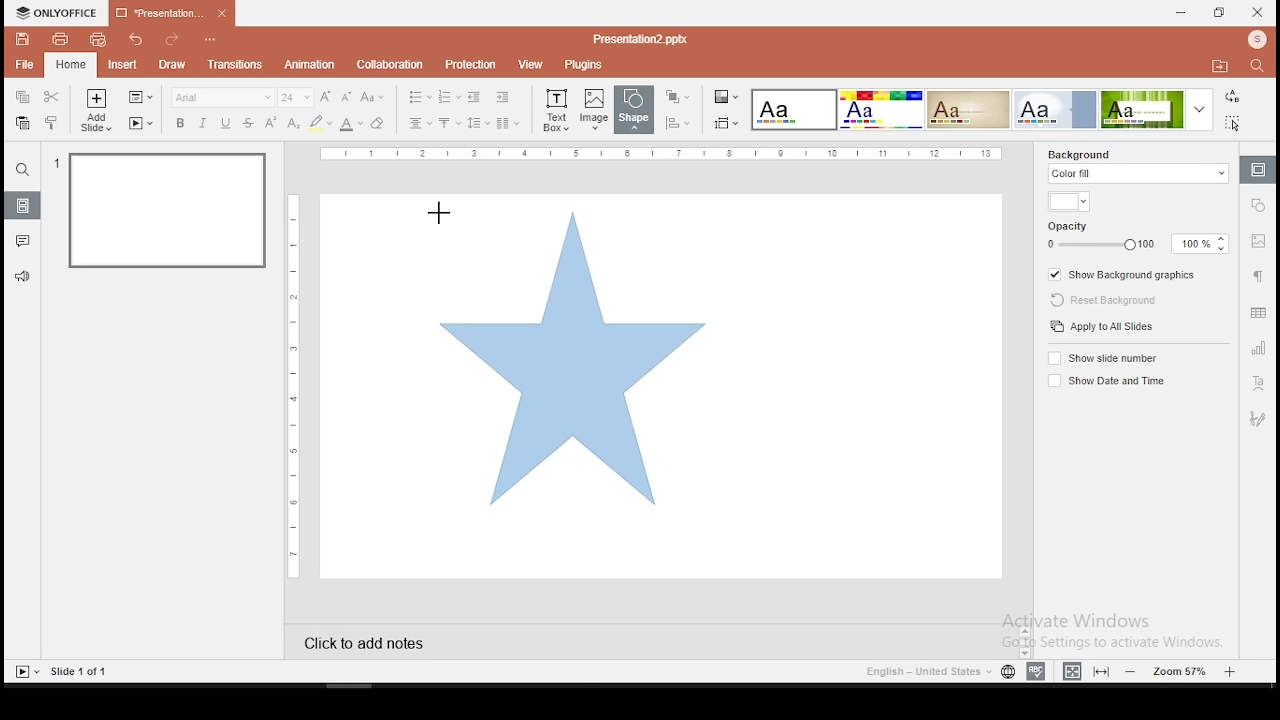  Describe the element at coordinates (71, 66) in the screenshot. I see `home` at that location.